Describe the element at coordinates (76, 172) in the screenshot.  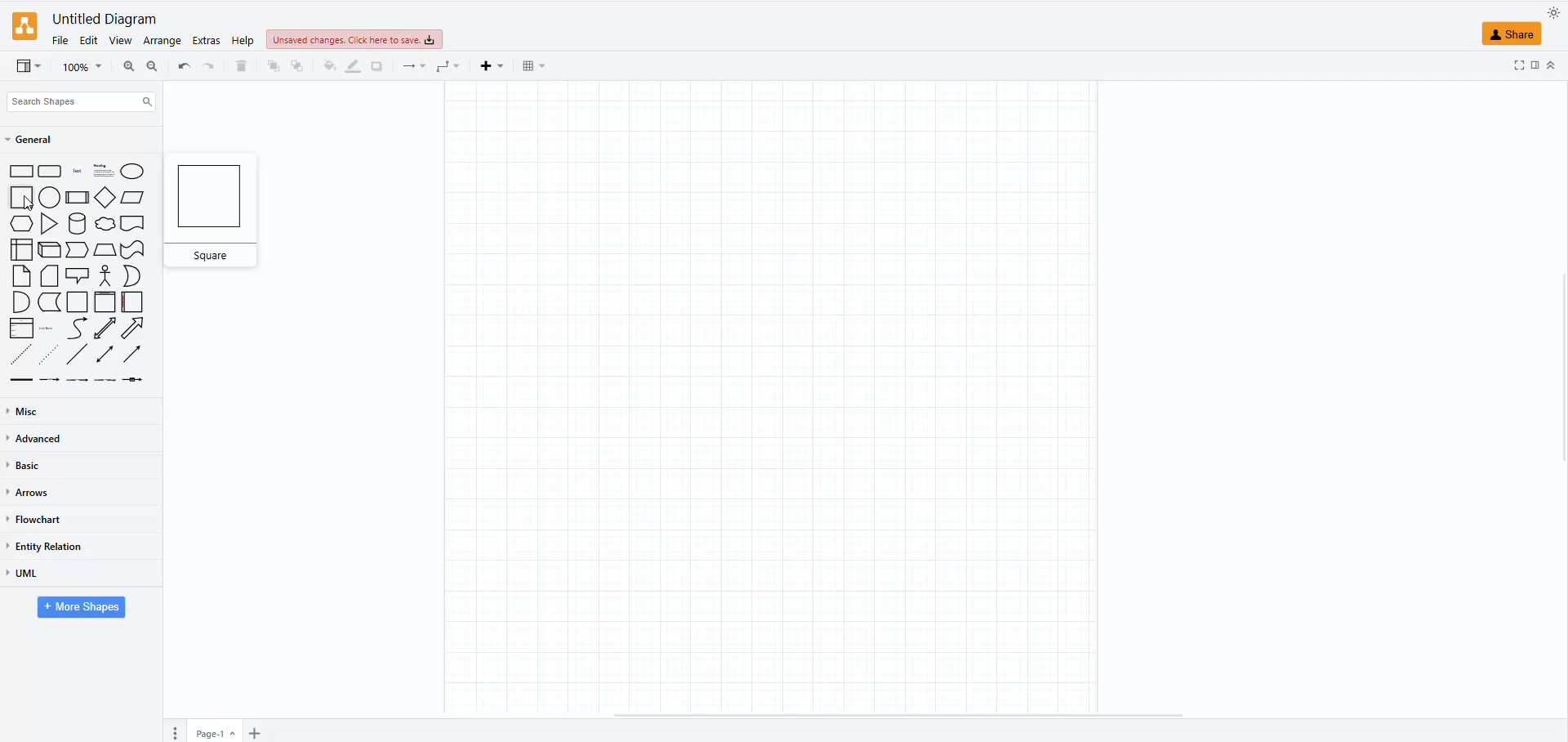
I see `text` at that location.